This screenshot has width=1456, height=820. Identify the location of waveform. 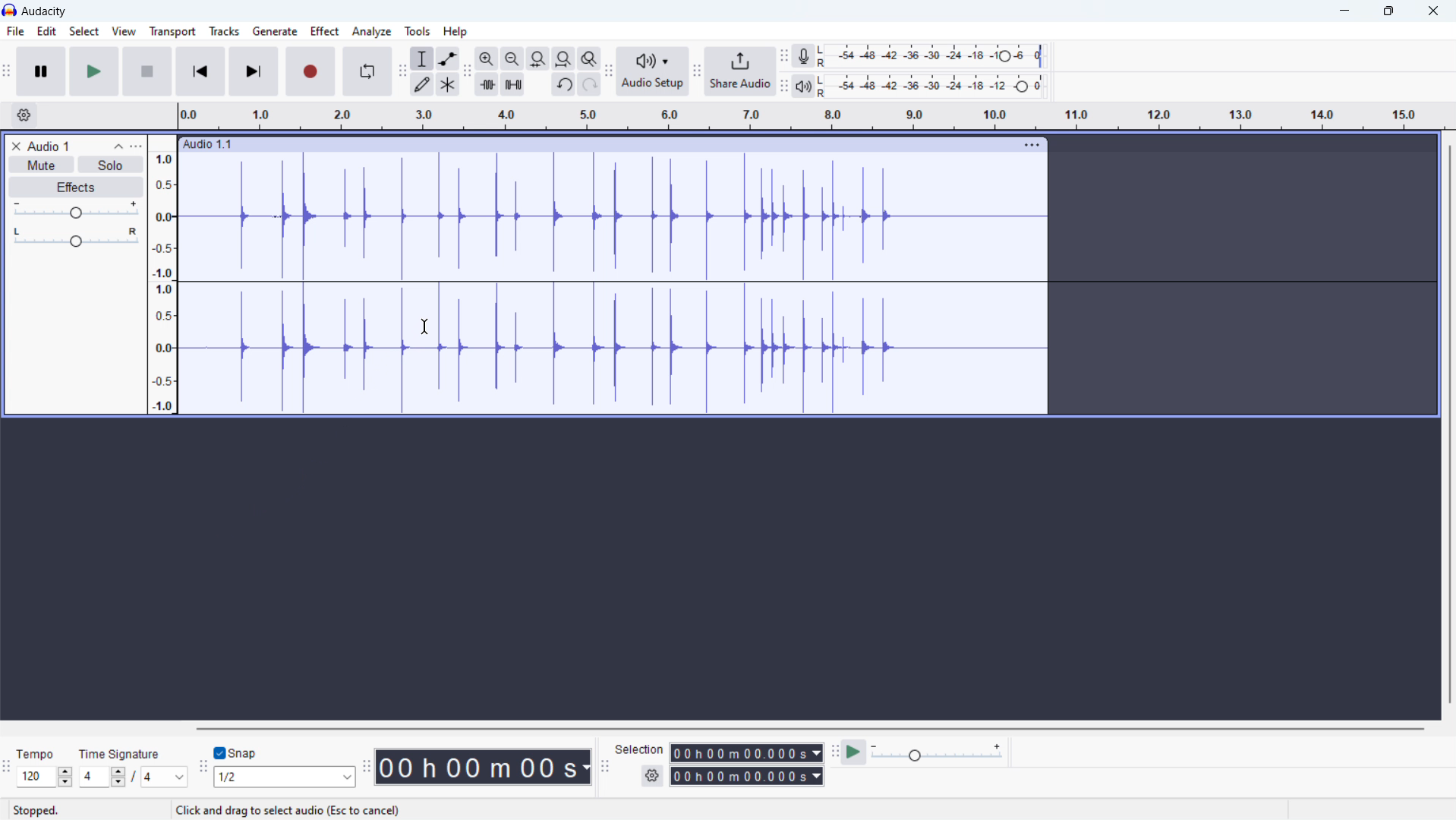
(613, 216).